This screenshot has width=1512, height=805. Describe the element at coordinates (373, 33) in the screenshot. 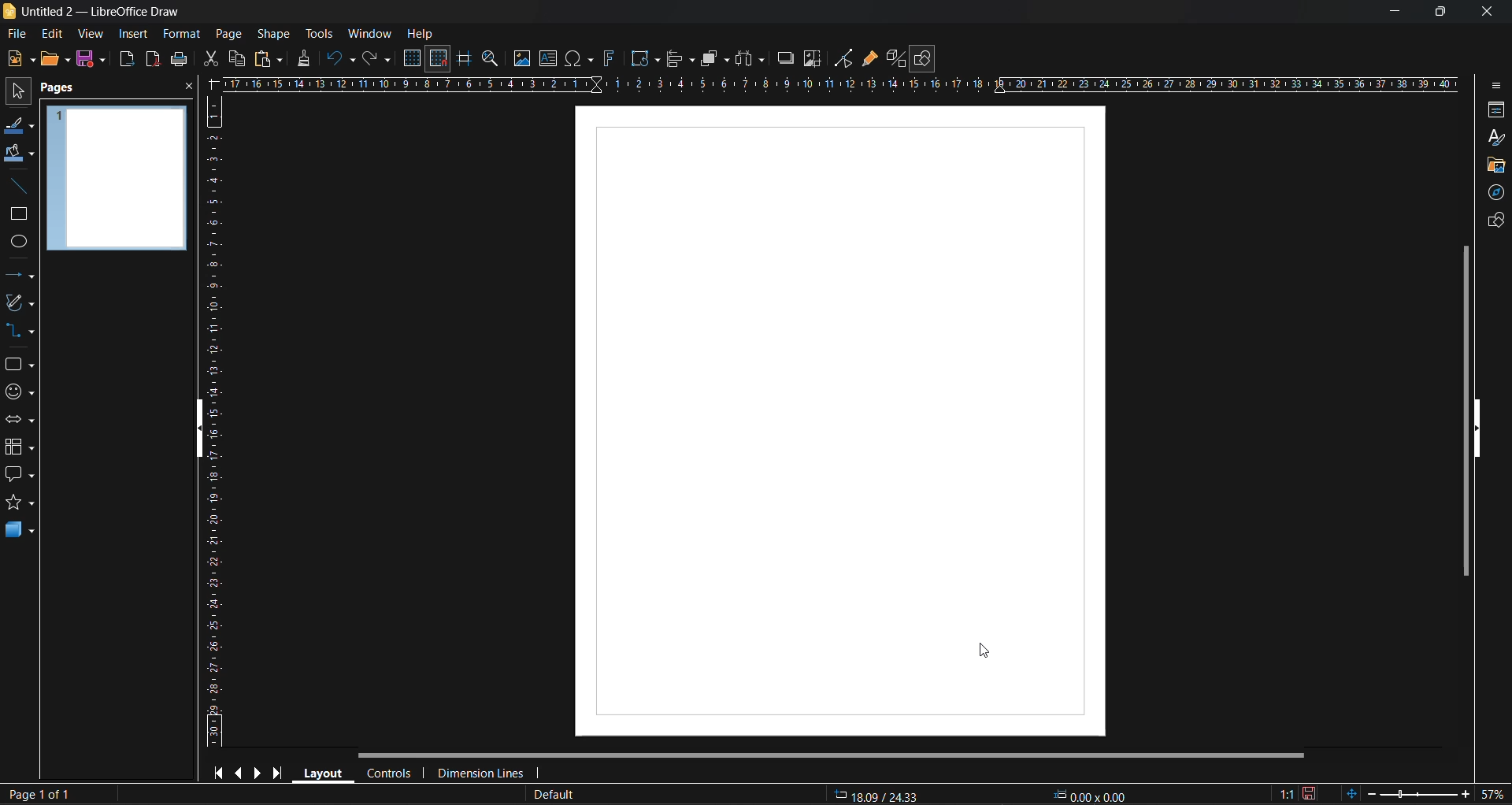

I see `window` at that location.